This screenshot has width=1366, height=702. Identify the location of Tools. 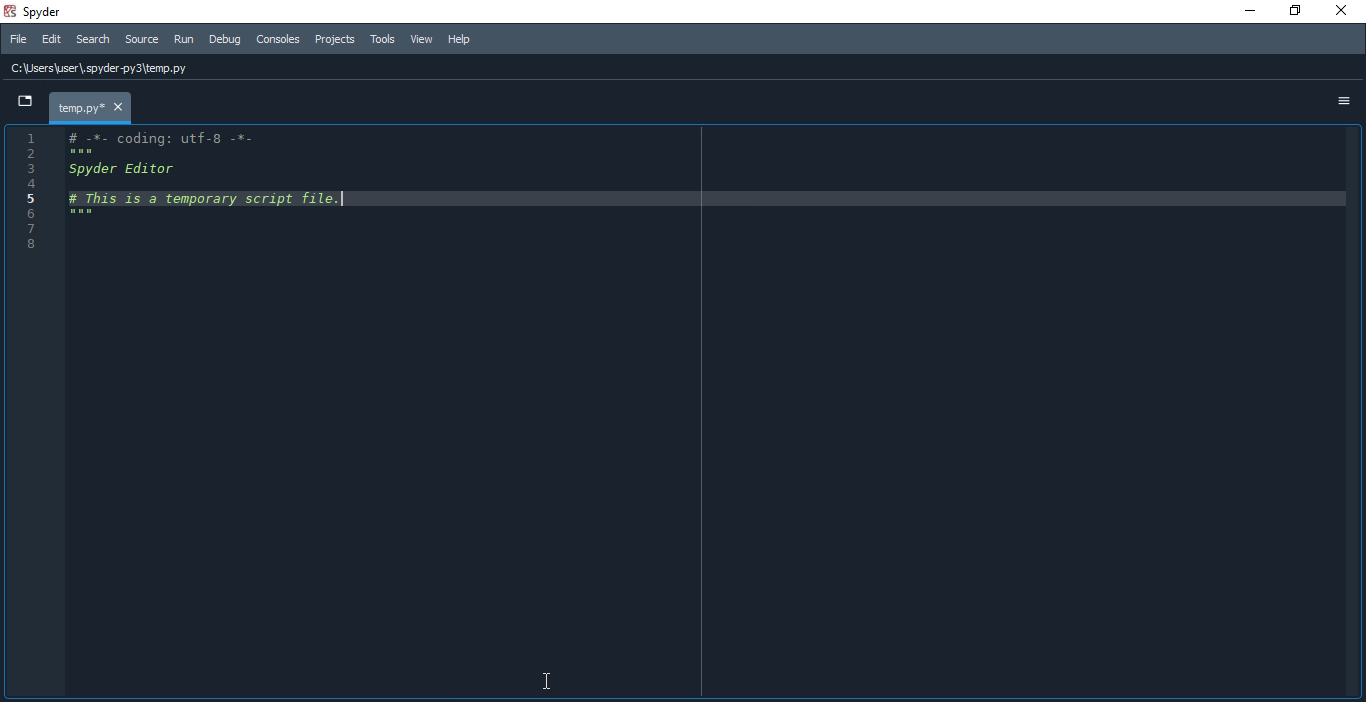
(382, 40).